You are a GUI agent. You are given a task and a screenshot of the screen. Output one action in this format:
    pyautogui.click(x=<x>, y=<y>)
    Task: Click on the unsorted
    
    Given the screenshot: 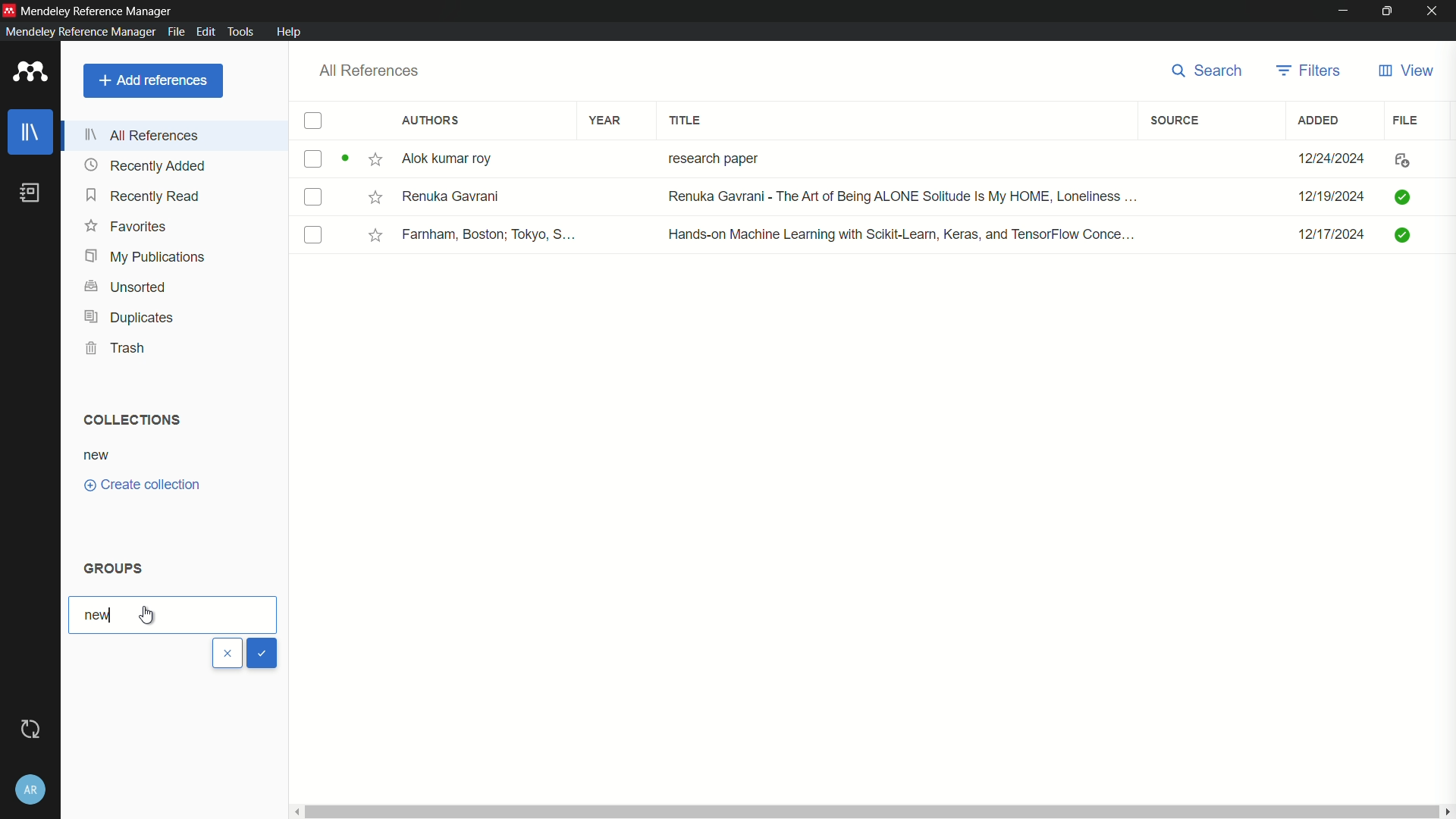 What is the action you would take?
    pyautogui.click(x=126, y=285)
    